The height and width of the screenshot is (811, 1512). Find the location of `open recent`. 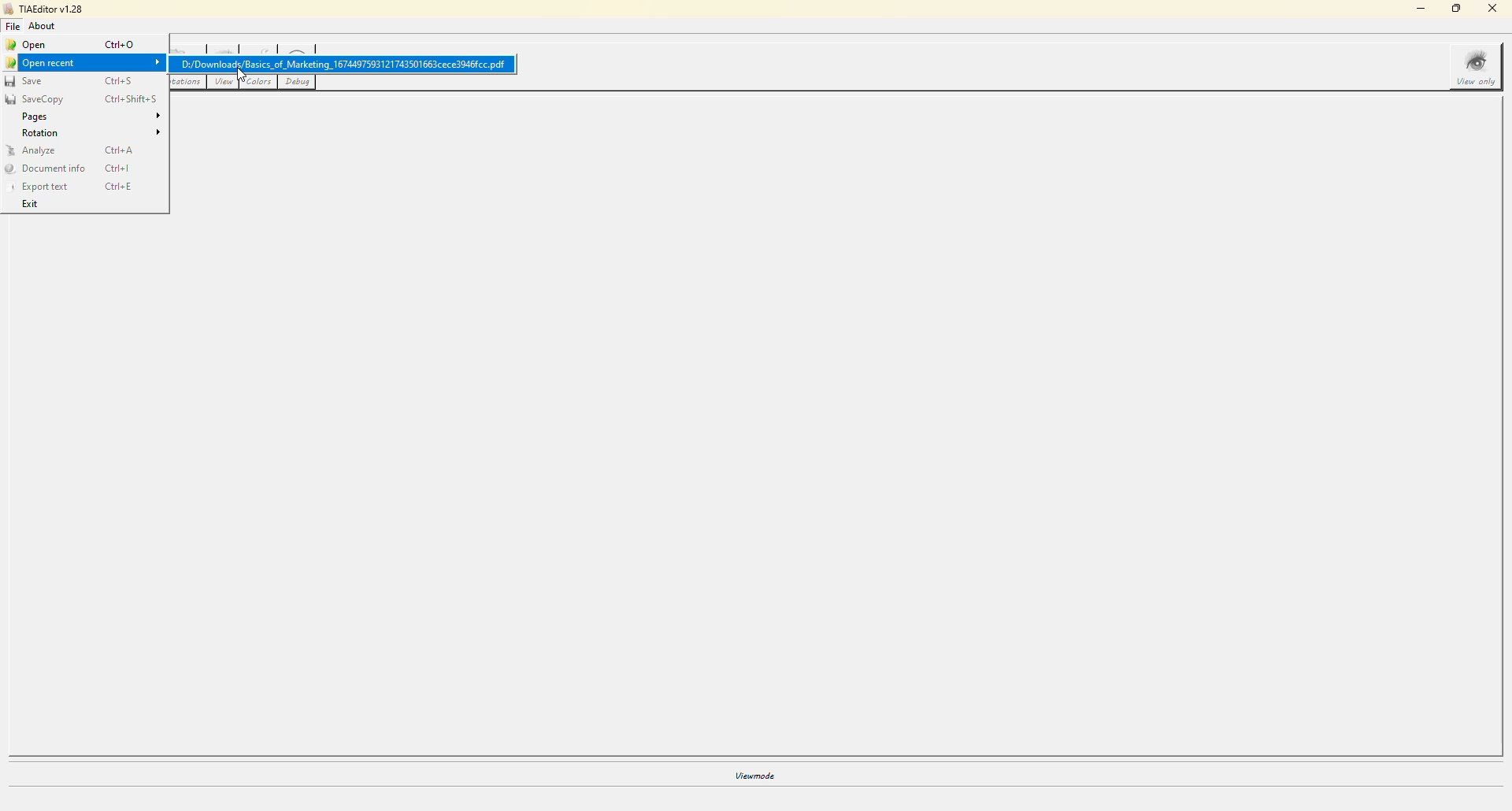

open recent is located at coordinates (85, 63).